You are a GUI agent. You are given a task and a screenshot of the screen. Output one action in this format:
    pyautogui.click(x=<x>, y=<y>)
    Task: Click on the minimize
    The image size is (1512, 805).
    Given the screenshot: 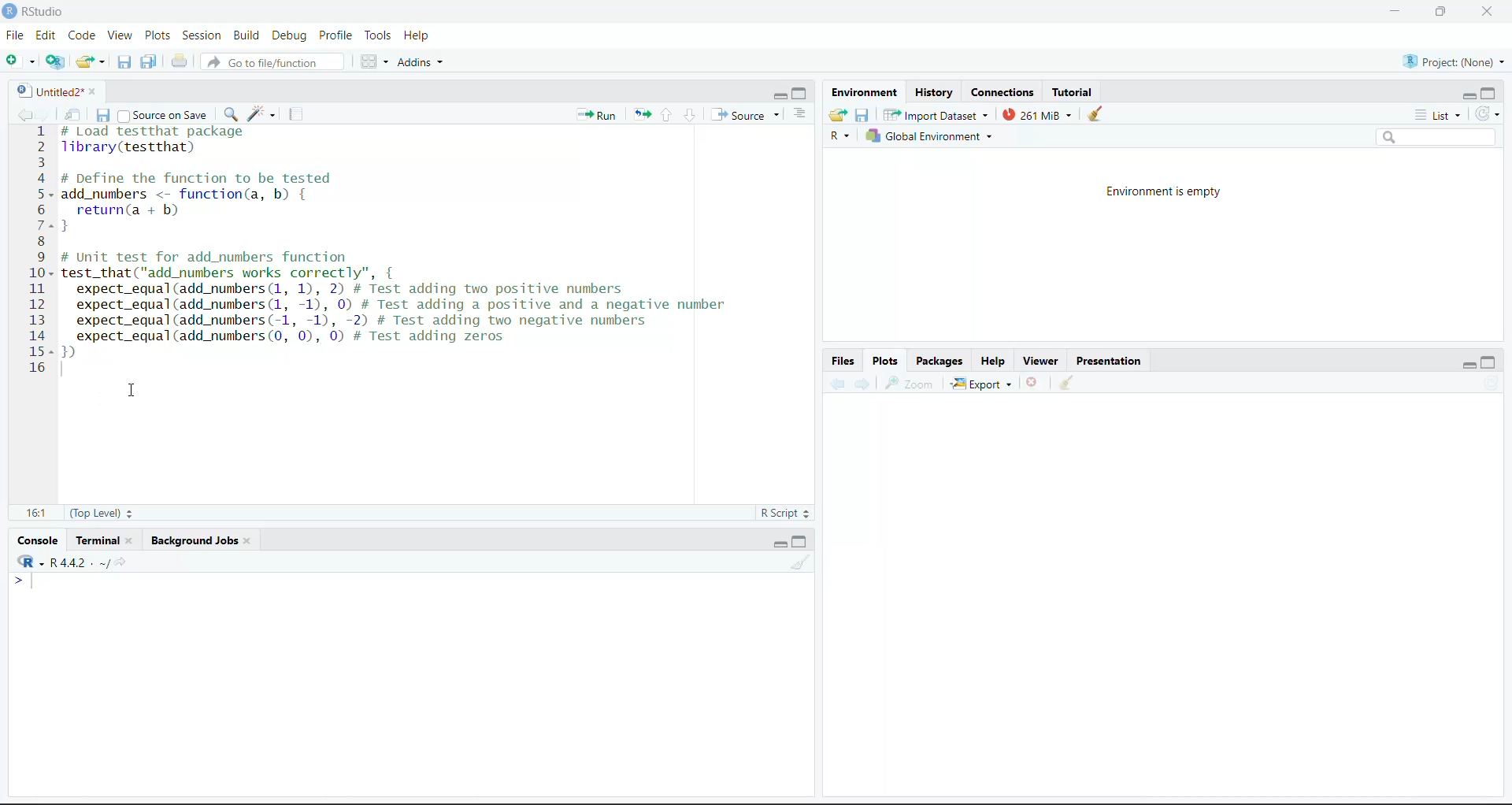 What is the action you would take?
    pyautogui.click(x=774, y=94)
    